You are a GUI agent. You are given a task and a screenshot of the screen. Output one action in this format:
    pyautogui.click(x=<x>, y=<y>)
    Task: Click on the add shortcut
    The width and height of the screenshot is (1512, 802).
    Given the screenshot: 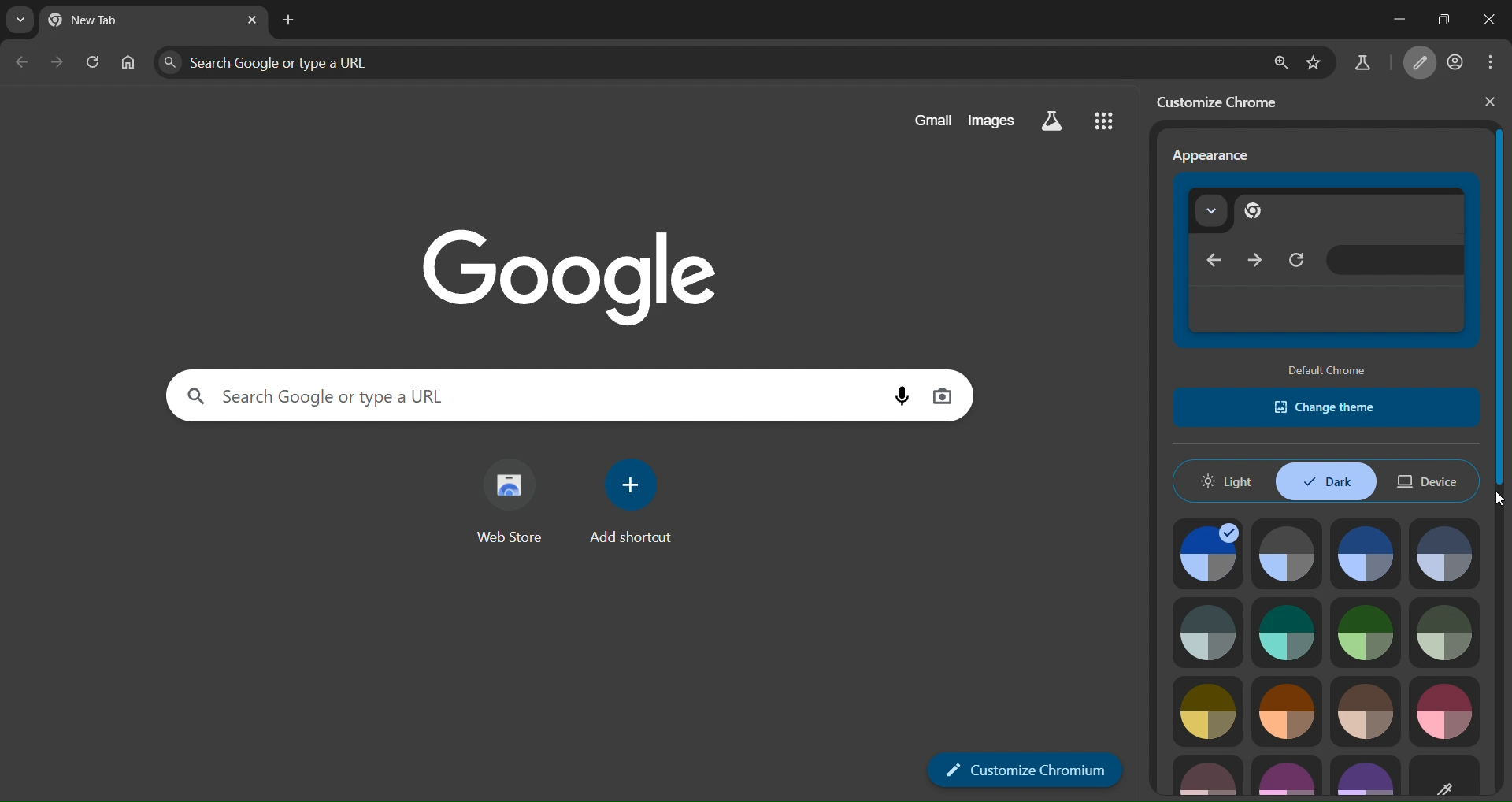 What is the action you would take?
    pyautogui.click(x=631, y=502)
    